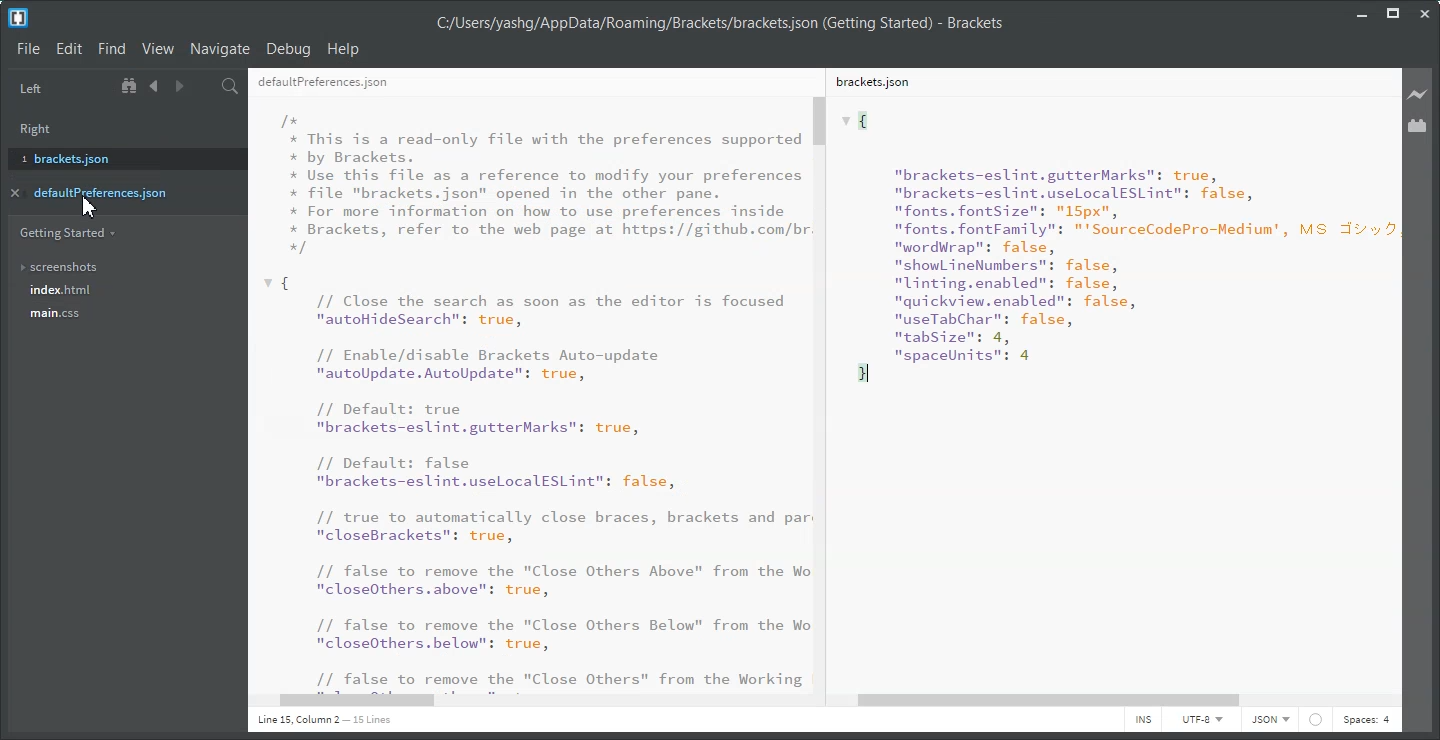  Describe the element at coordinates (67, 232) in the screenshot. I see `Getting Started` at that location.